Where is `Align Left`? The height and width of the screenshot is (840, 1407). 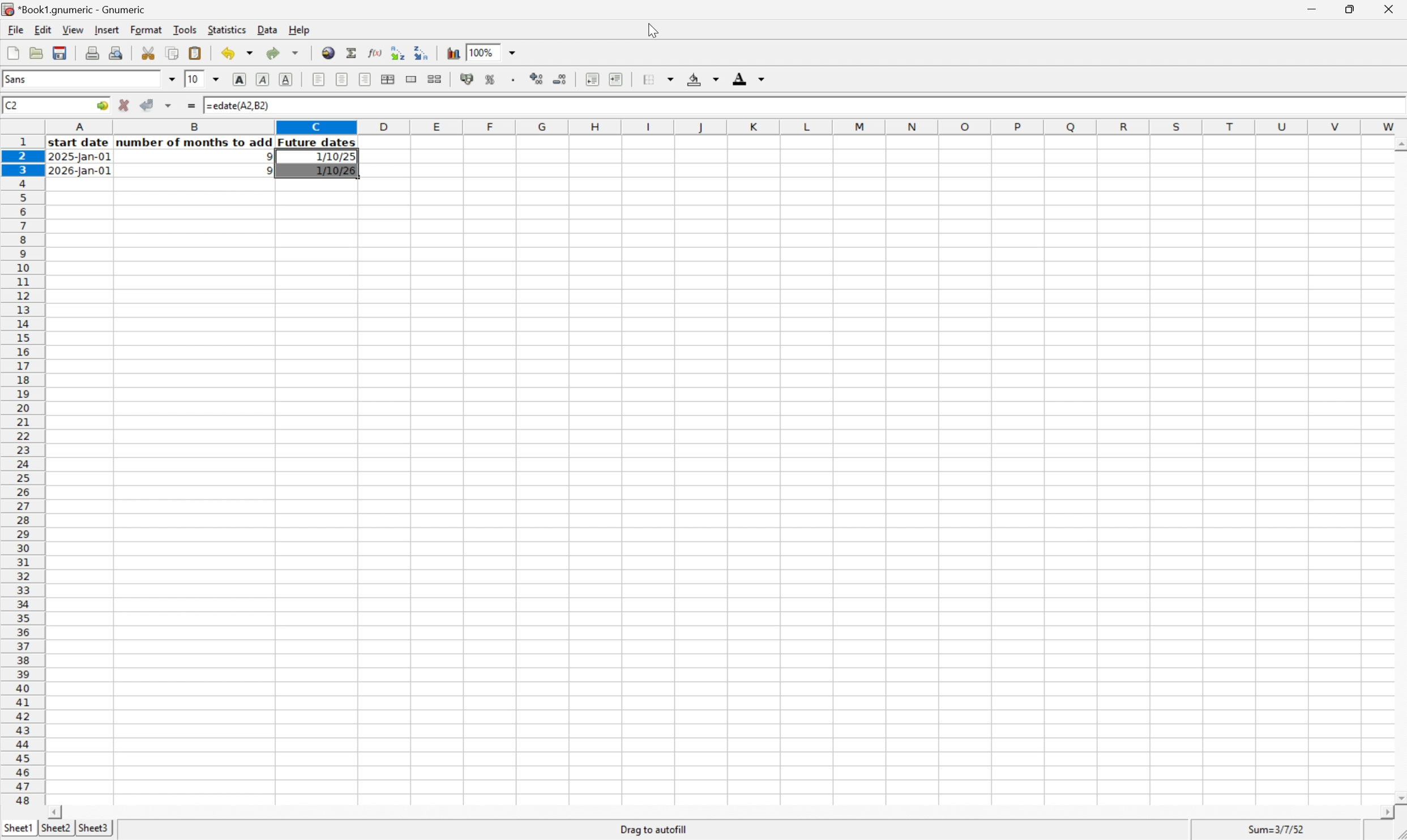
Align Left is located at coordinates (318, 79).